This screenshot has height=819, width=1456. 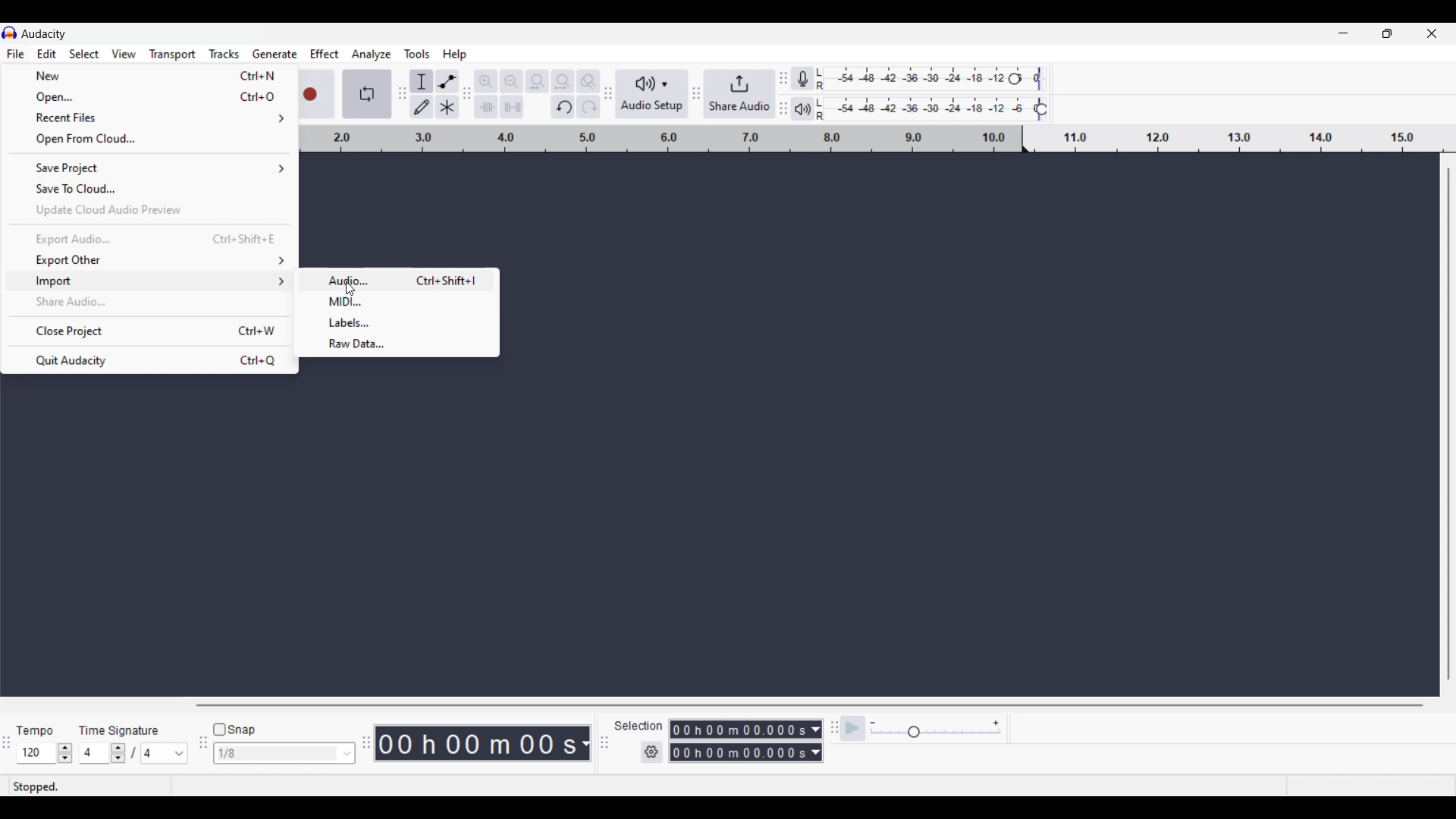 I want to click on Tempo, so click(x=39, y=726).